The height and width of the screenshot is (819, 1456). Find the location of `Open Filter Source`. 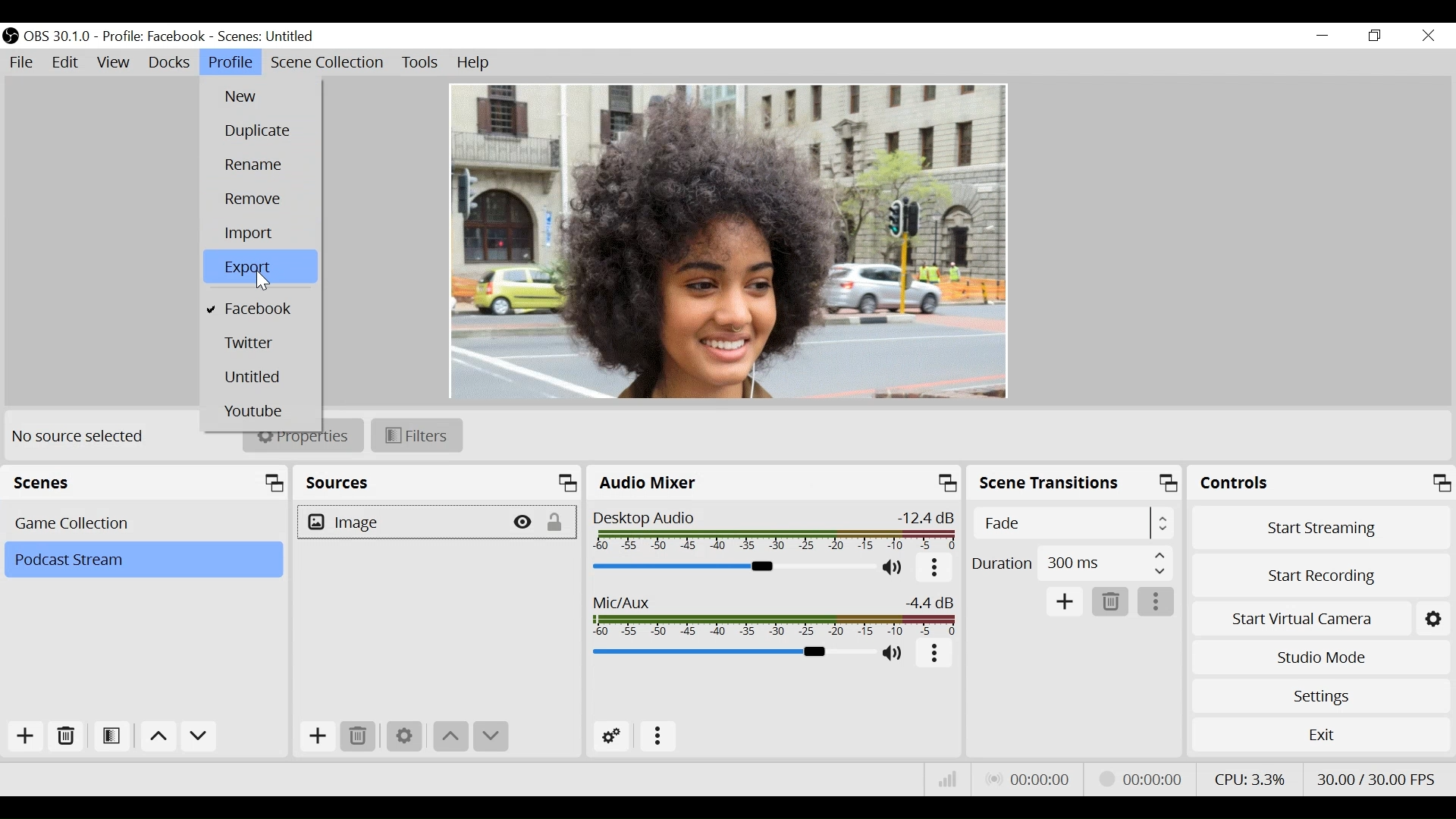

Open Filter Source is located at coordinates (115, 736).